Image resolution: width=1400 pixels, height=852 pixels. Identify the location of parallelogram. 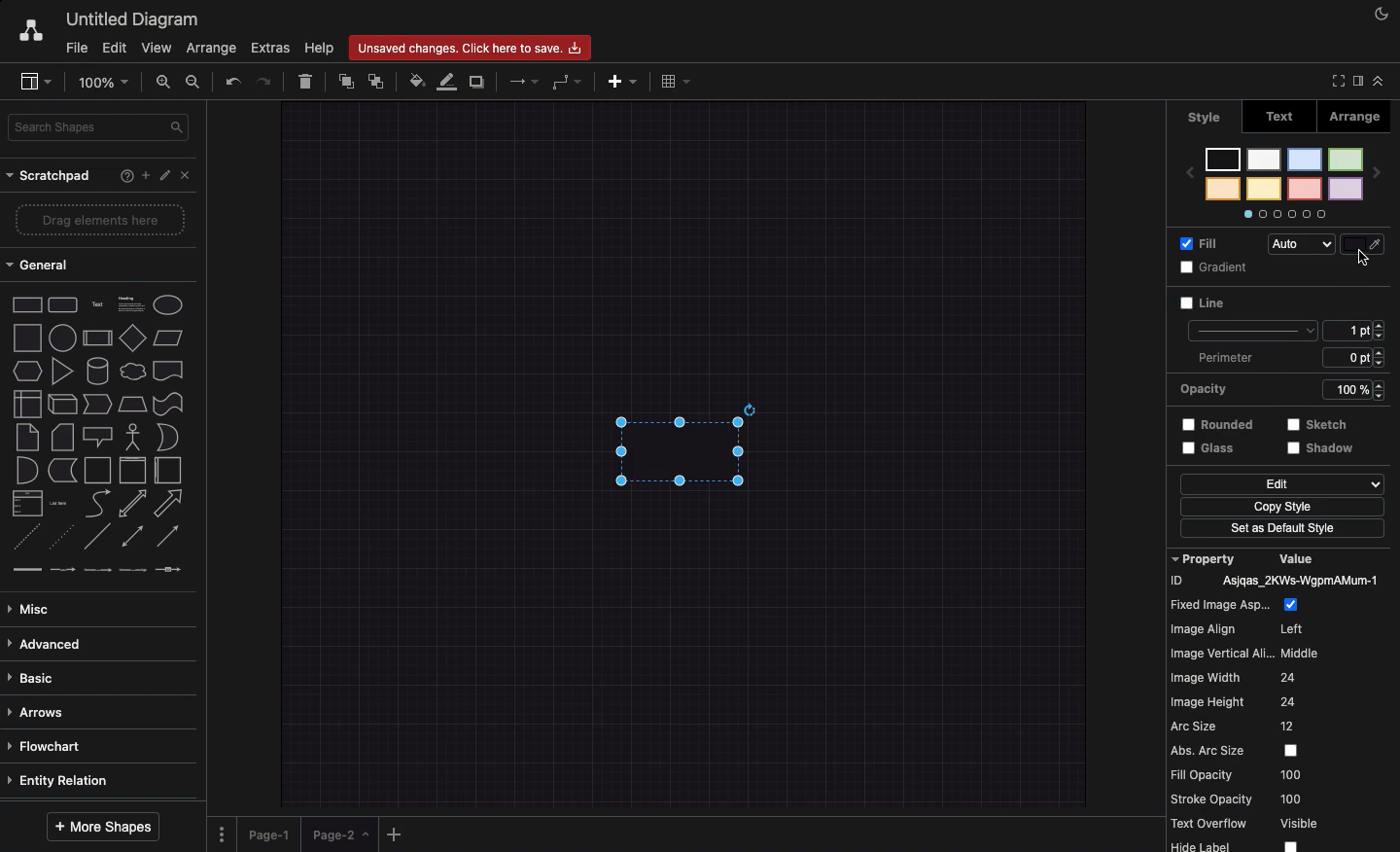
(170, 338).